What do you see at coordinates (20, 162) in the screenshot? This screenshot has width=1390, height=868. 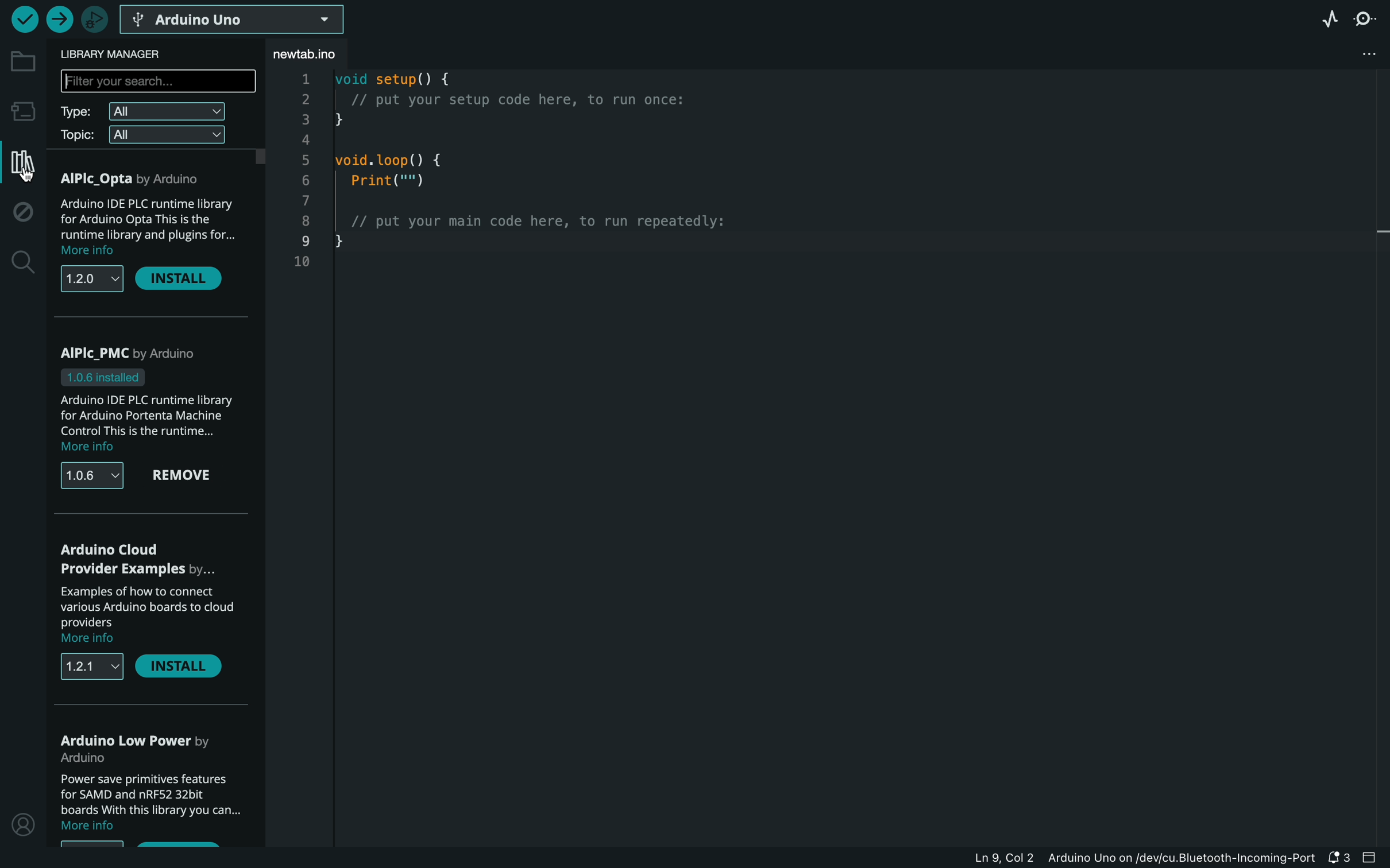 I see `library manager` at bounding box center [20, 162].